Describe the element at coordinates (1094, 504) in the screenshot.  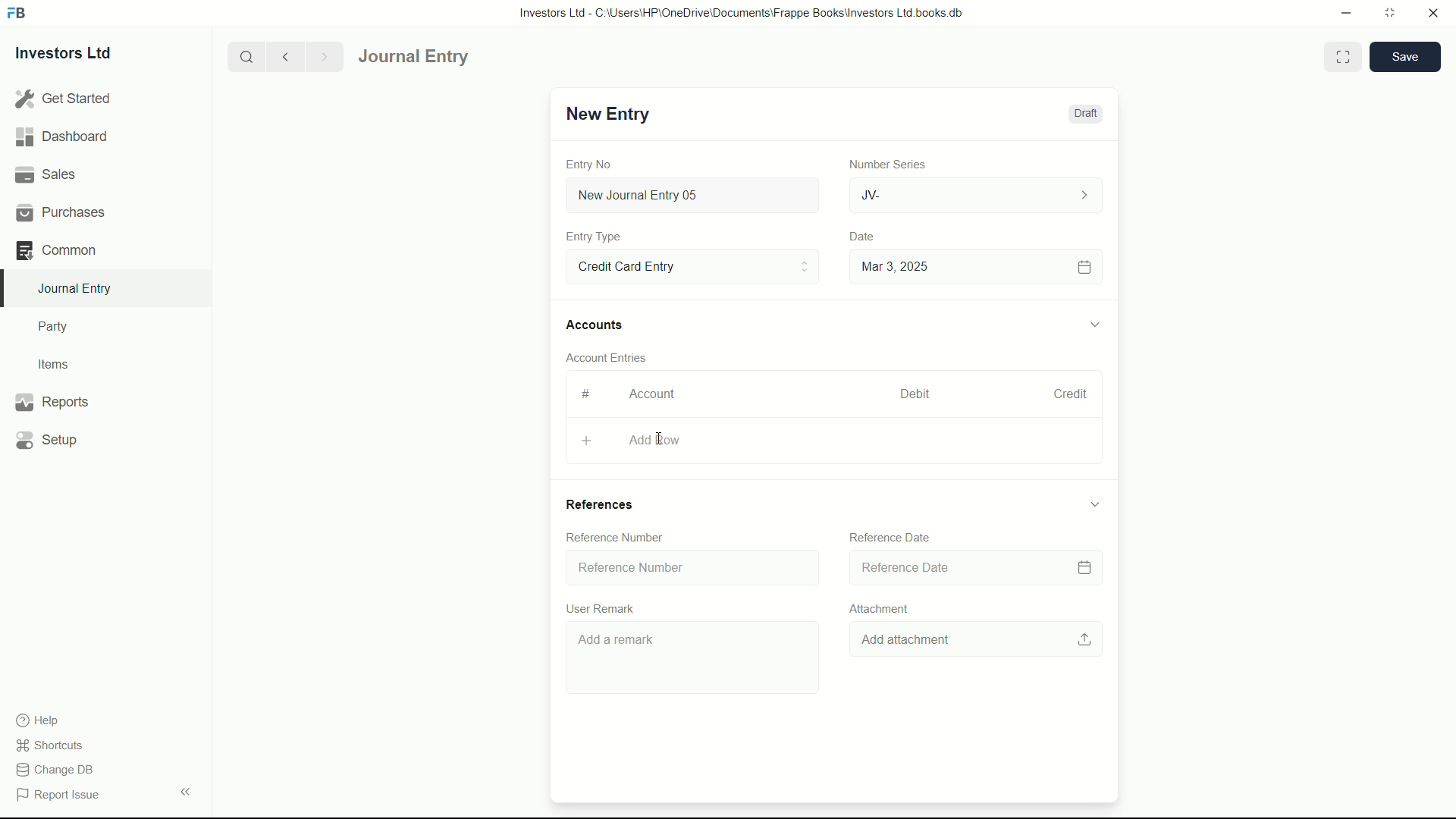
I see `expand/collapse` at that location.